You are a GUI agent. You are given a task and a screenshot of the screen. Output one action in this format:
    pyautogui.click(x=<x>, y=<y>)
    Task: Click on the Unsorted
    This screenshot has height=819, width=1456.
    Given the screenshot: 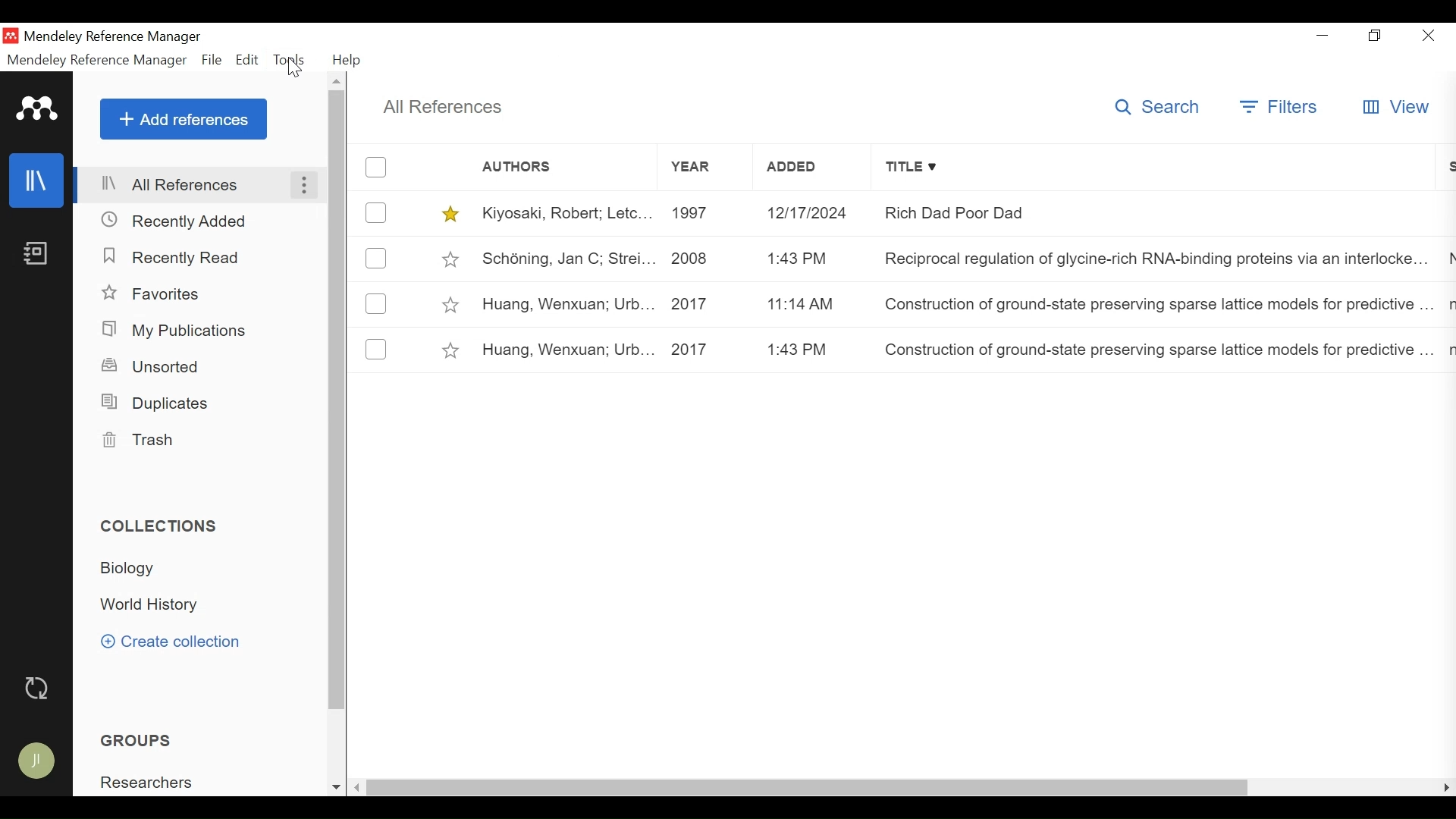 What is the action you would take?
    pyautogui.click(x=151, y=366)
    